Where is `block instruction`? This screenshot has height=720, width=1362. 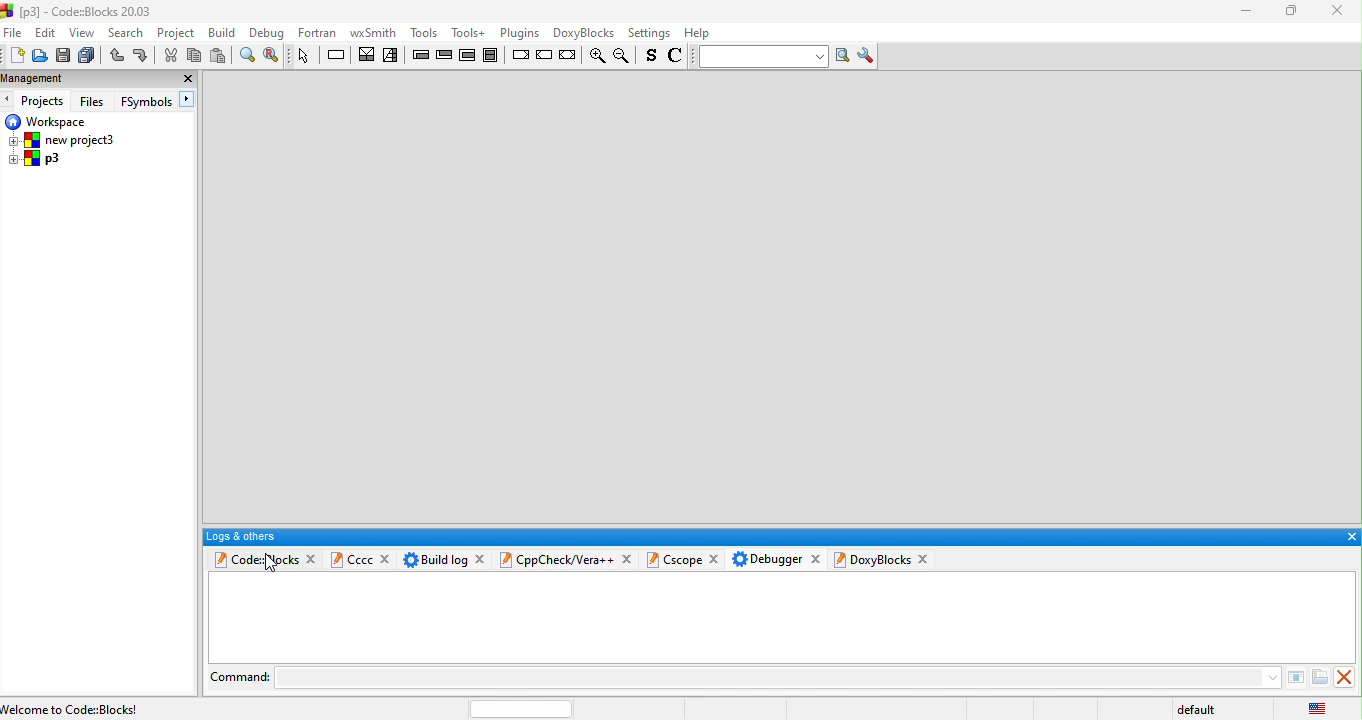 block instruction is located at coordinates (494, 55).